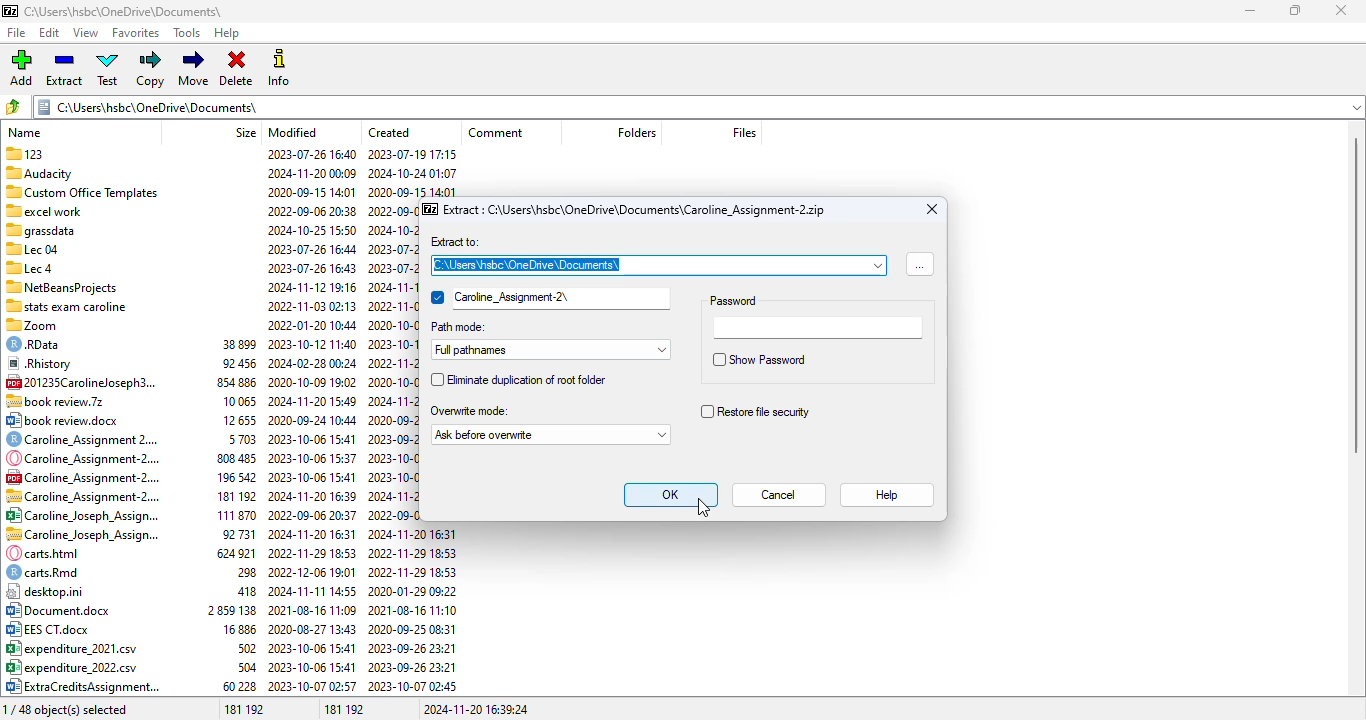  Describe the element at coordinates (390, 132) in the screenshot. I see `created` at that location.